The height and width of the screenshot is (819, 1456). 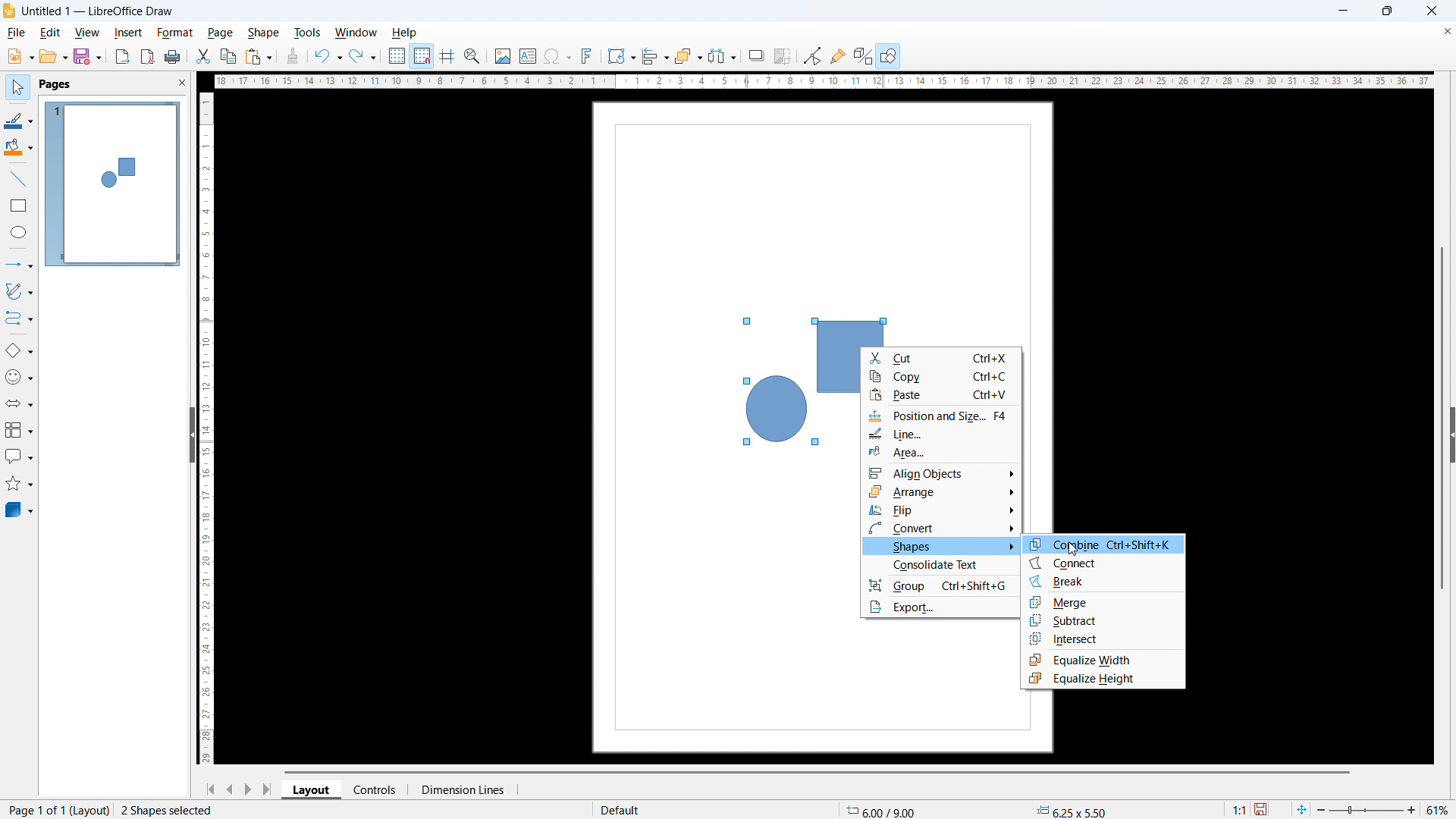 I want to click on background color, so click(x=20, y=148).